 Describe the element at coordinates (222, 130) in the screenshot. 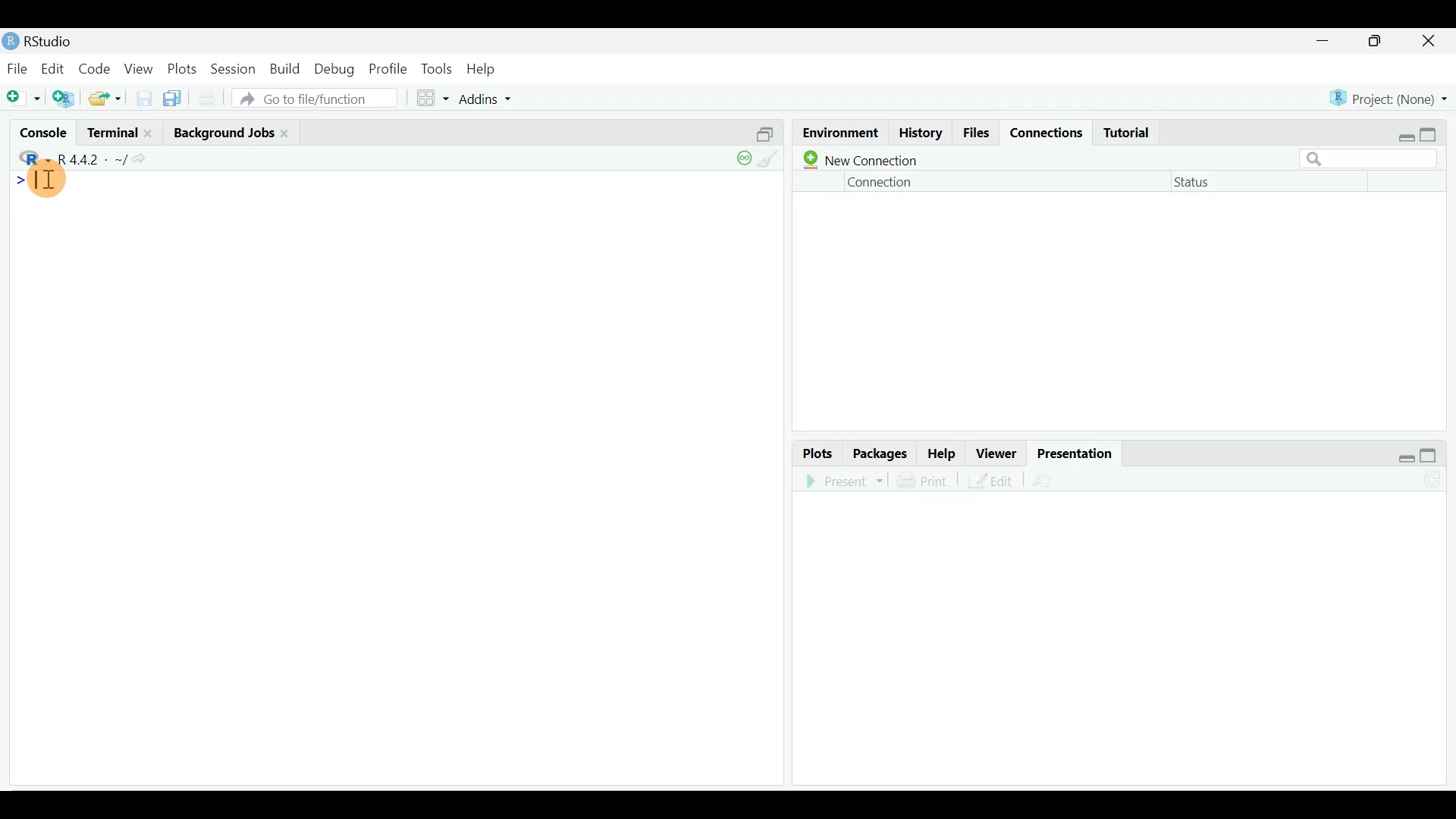

I see `Background jobs` at that location.